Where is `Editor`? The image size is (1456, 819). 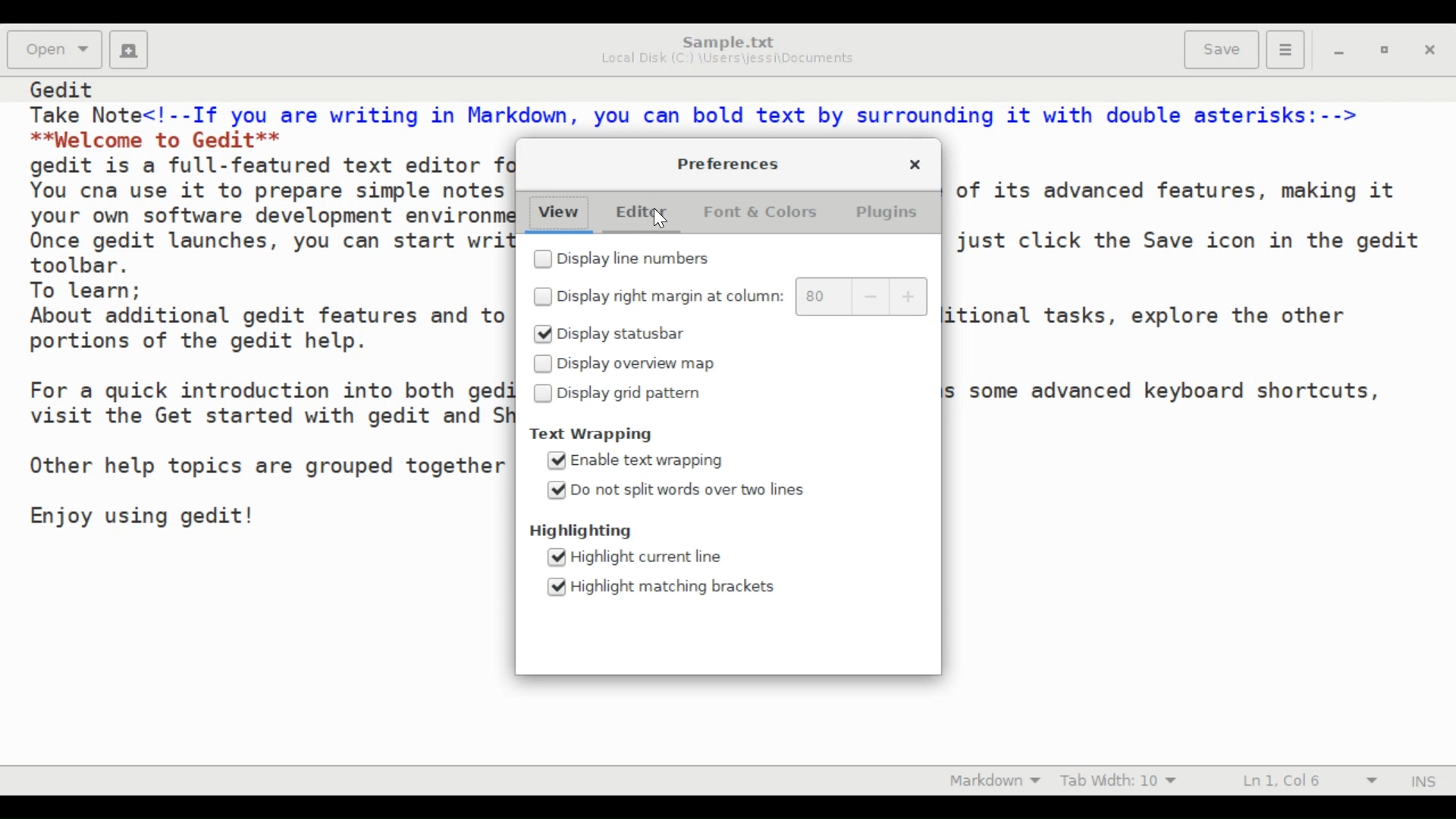 Editor is located at coordinates (645, 215).